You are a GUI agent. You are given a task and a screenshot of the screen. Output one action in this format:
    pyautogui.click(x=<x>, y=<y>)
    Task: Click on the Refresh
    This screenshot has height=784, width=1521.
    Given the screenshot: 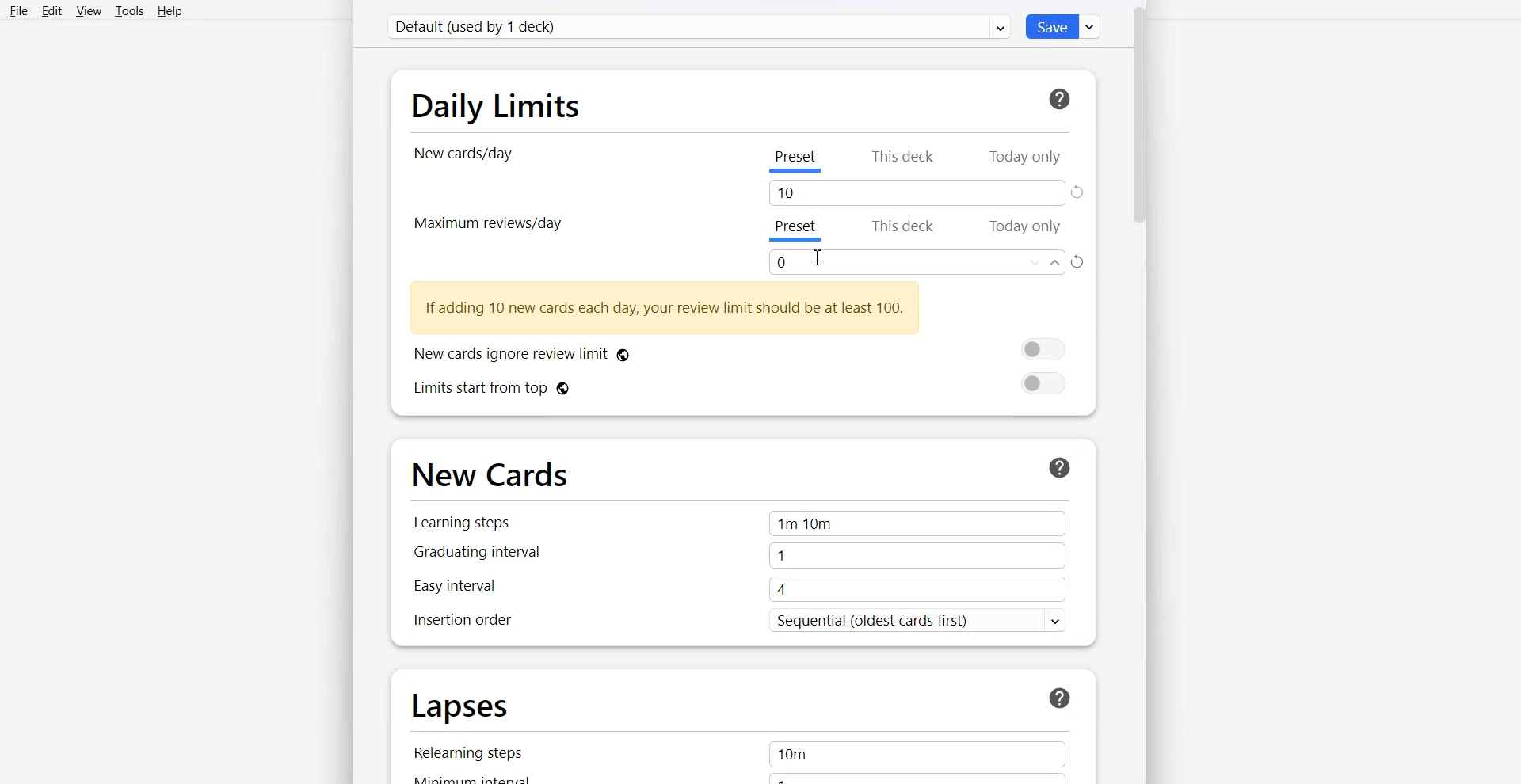 What is the action you would take?
    pyautogui.click(x=1080, y=263)
    